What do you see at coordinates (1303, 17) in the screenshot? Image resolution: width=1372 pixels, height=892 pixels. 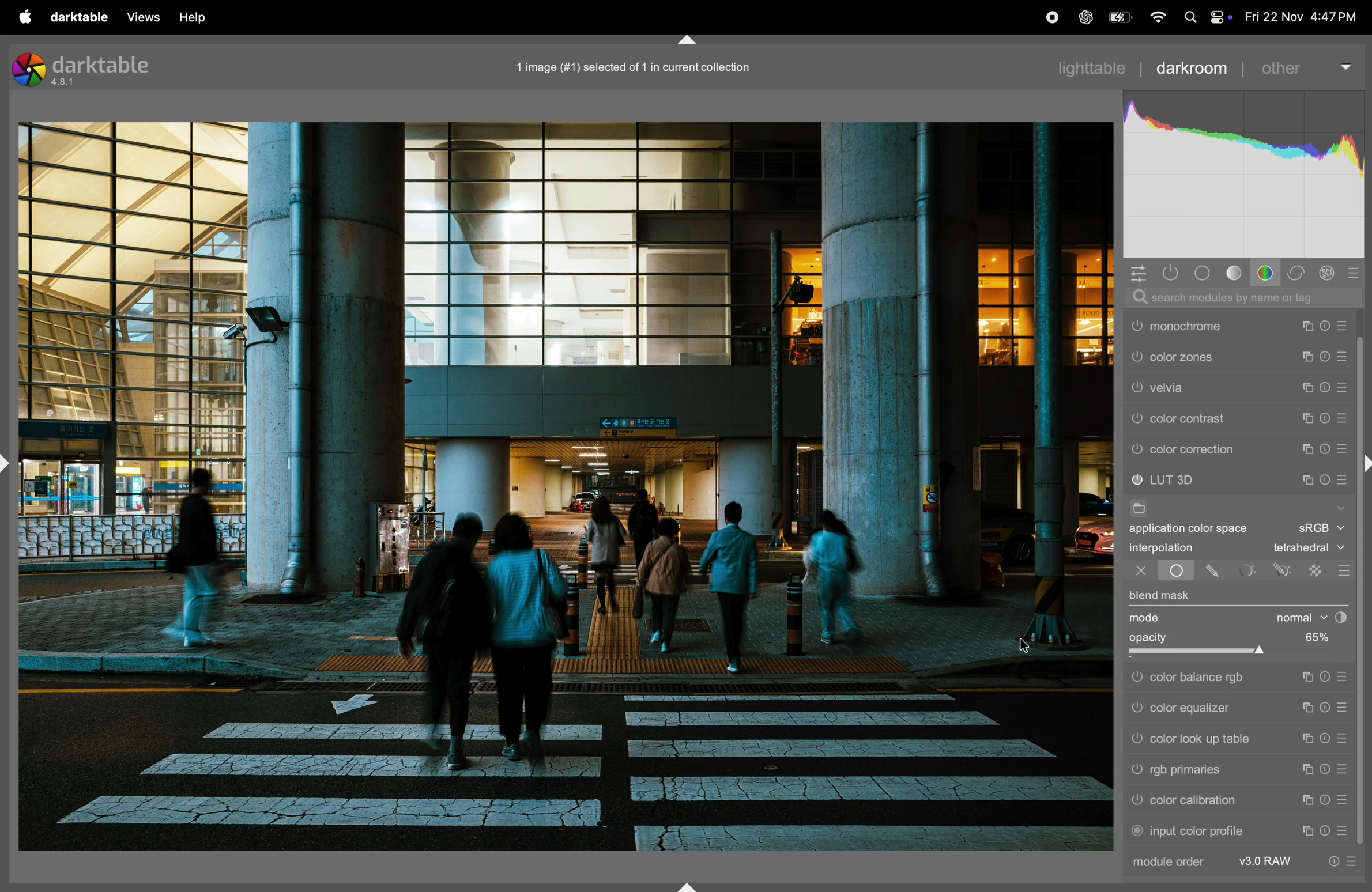 I see `date and time` at bounding box center [1303, 17].